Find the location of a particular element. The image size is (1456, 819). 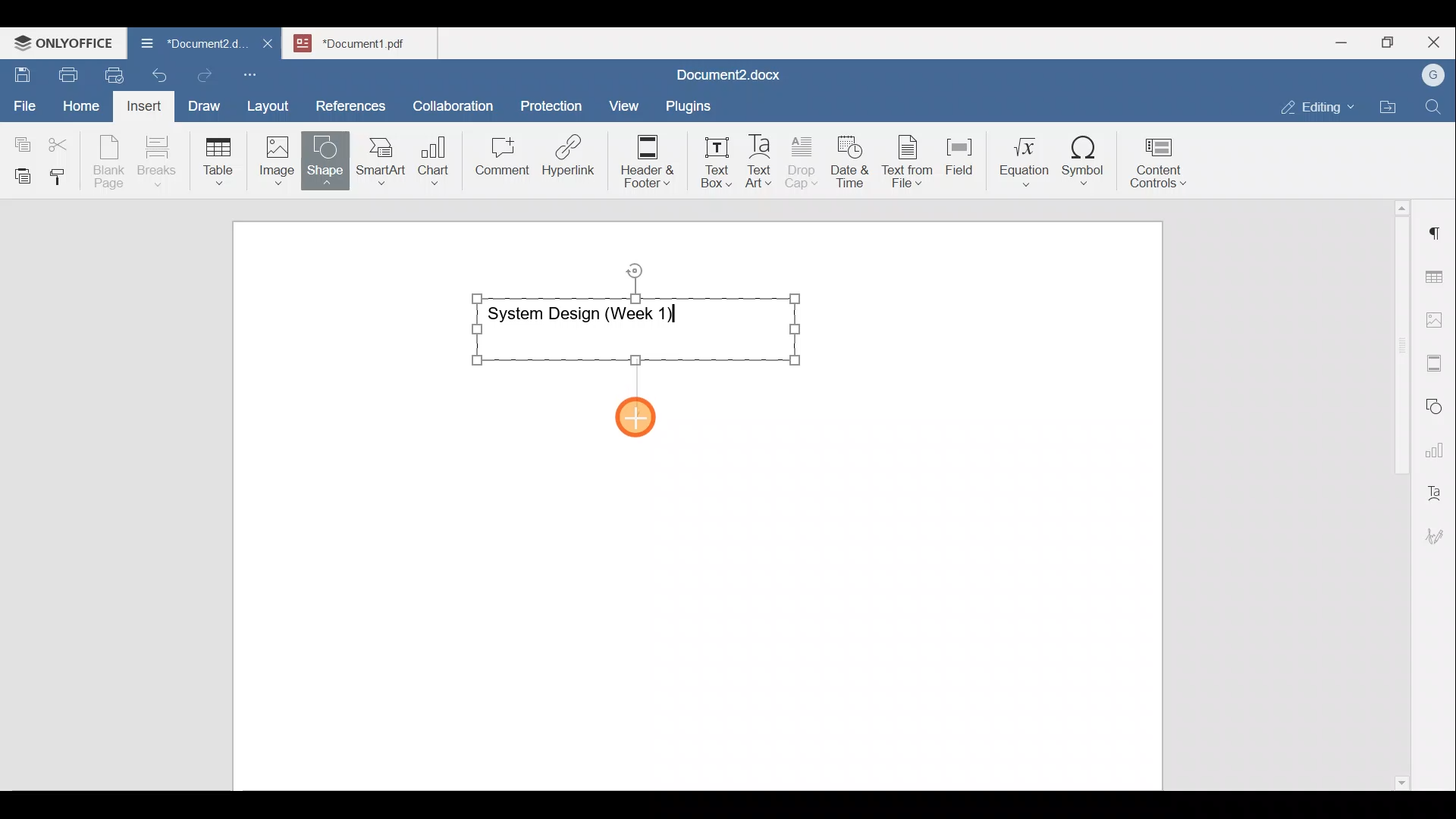

Account name is located at coordinates (1429, 76).